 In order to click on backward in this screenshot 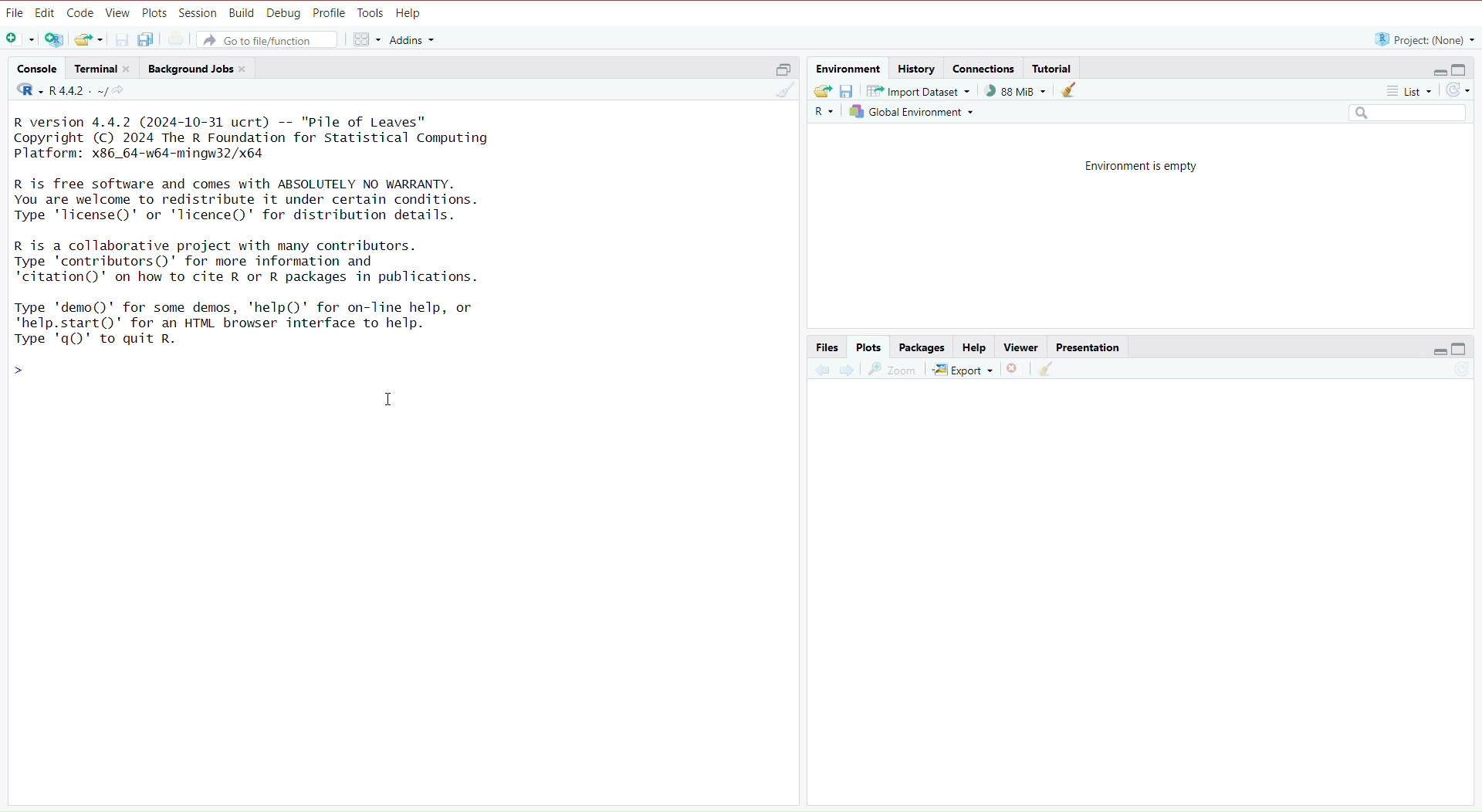, I will do `click(821, 374)`.